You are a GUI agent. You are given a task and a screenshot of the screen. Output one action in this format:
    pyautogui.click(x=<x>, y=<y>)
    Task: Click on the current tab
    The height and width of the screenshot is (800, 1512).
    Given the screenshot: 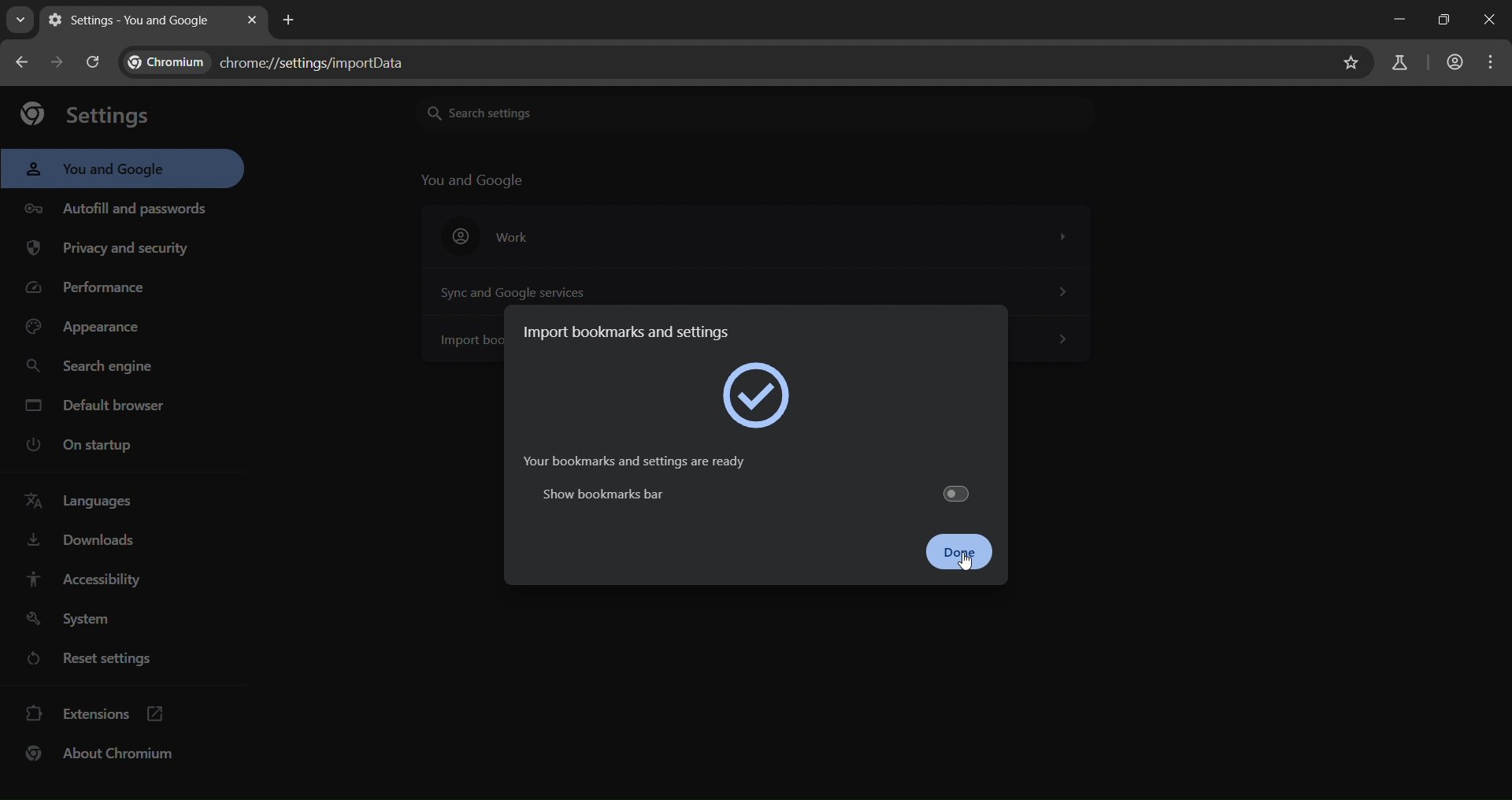 What is the action you would take?
    pyautogui.click(x=136, y=20)
    